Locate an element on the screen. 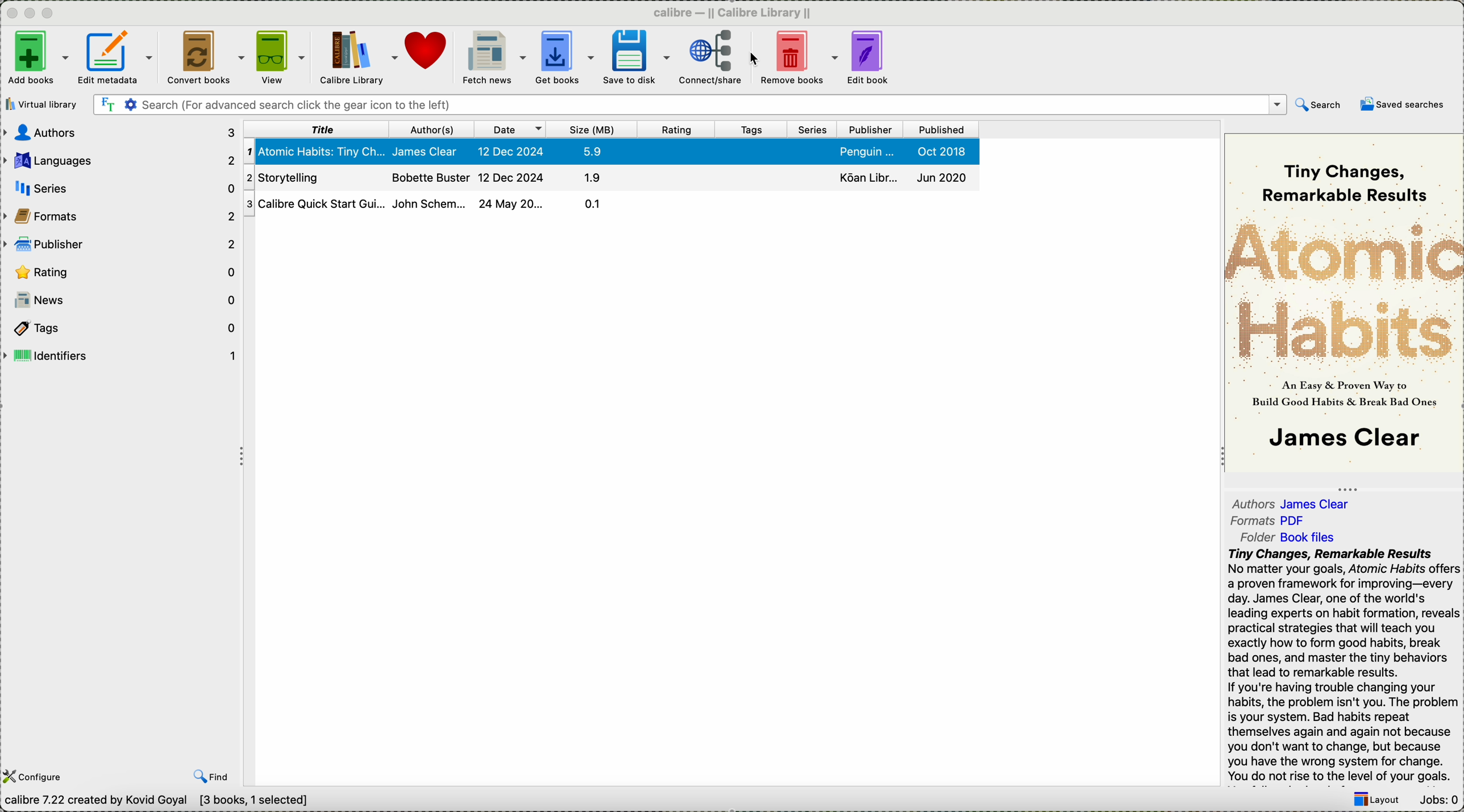 The width and height of the screenshot is (1464, 812). news is located at coordinates (121, 300).